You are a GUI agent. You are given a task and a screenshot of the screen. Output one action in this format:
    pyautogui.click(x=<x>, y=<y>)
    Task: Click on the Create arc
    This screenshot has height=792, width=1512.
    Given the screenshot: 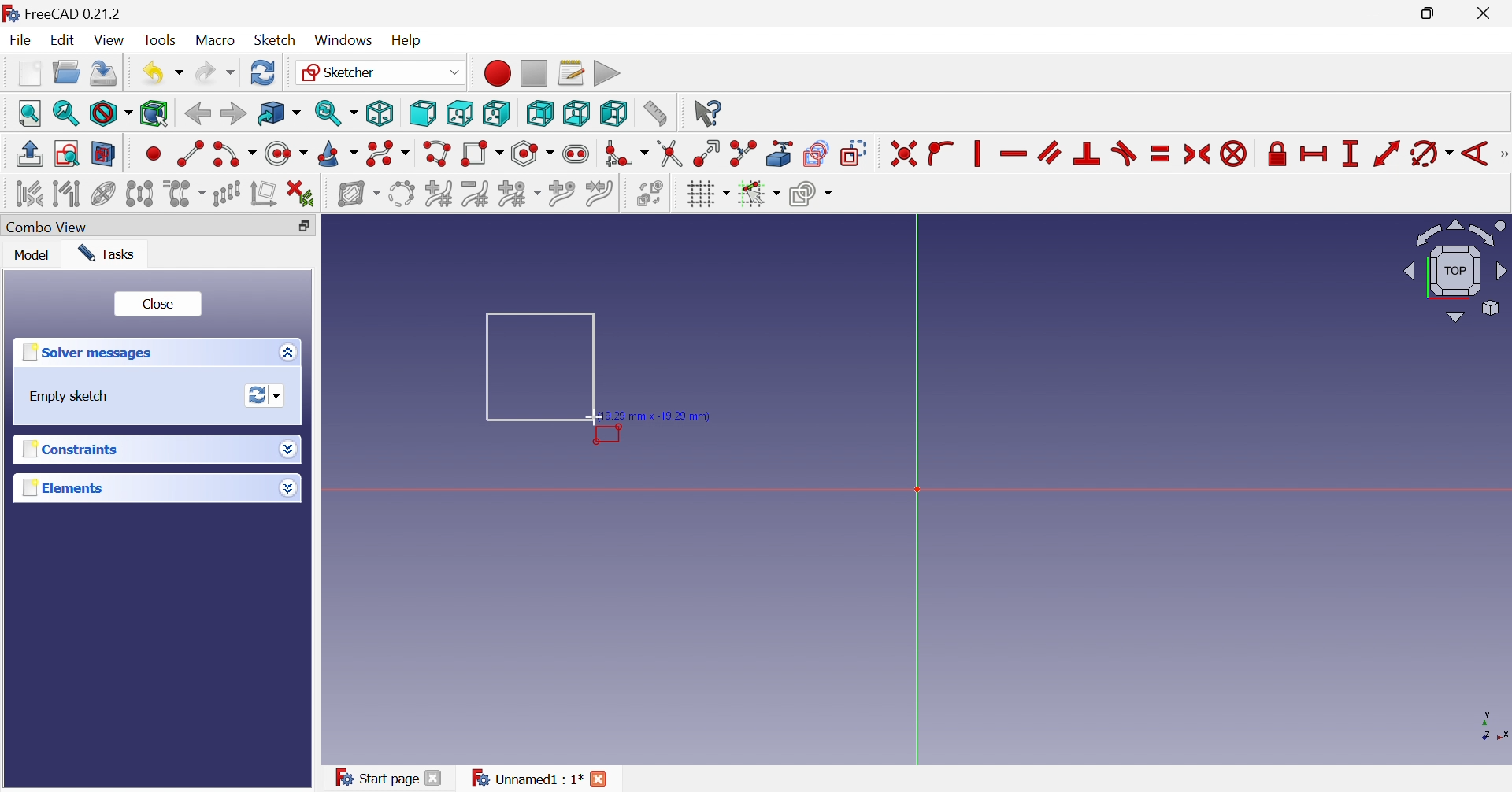 What is the action you would take?
    pyautogui.click(x=234, y=154)
    